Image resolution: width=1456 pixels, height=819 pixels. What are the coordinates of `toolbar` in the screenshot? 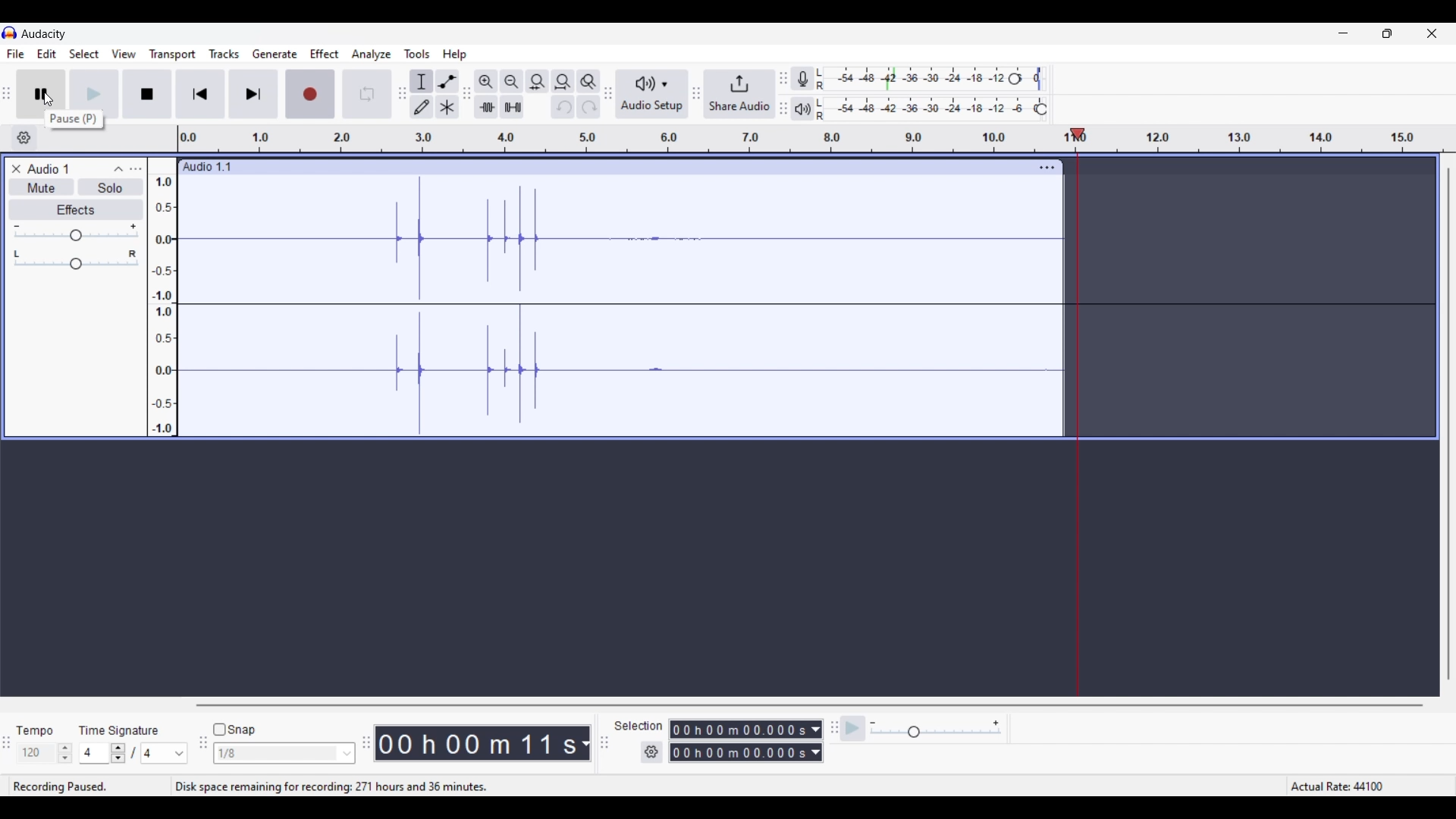 It's located at (363, 740).